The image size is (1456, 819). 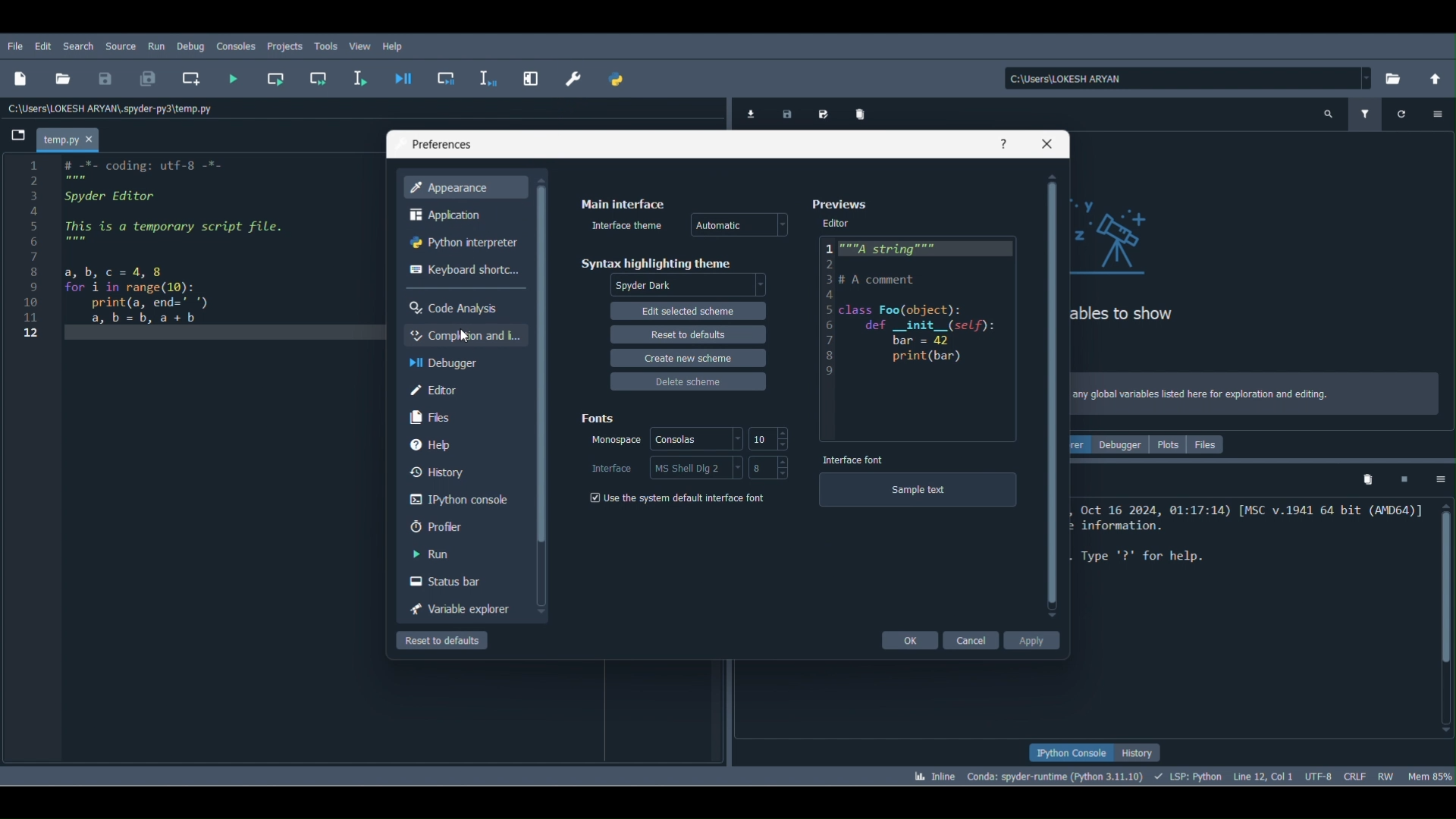 What do you see at coordinates (933, 774) in the screenshot?
I see `Click to toggle between inline and interactive Matplotlib plotting` at bounding box center [933, 774].